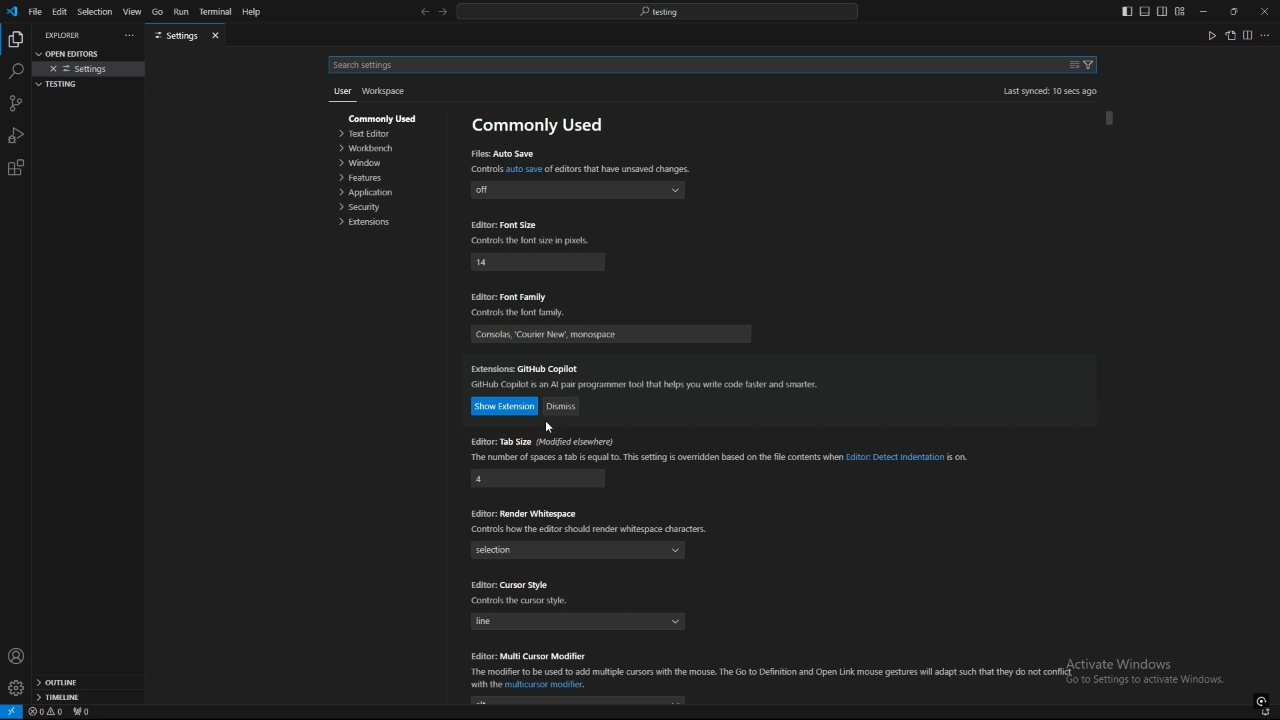 This screenshot has height=720, width=1280. Describe the element at coordinates (74, 52) in the screenshot. I see `open settings` at that location.